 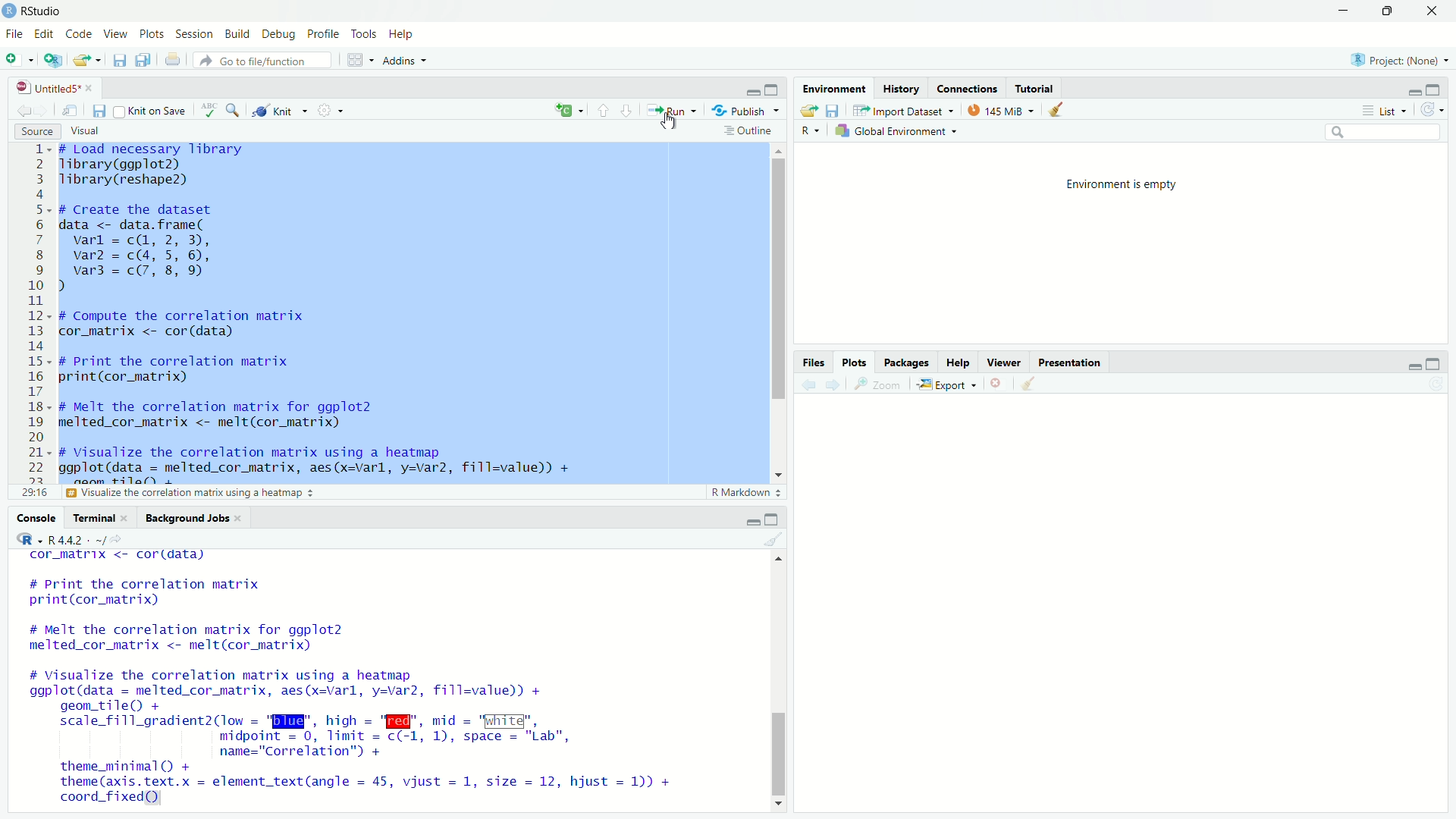 What do you see at coordinates (780, 280) in the screenshot?
I see `vertical scrollbar` at bounding box center [780, 280].